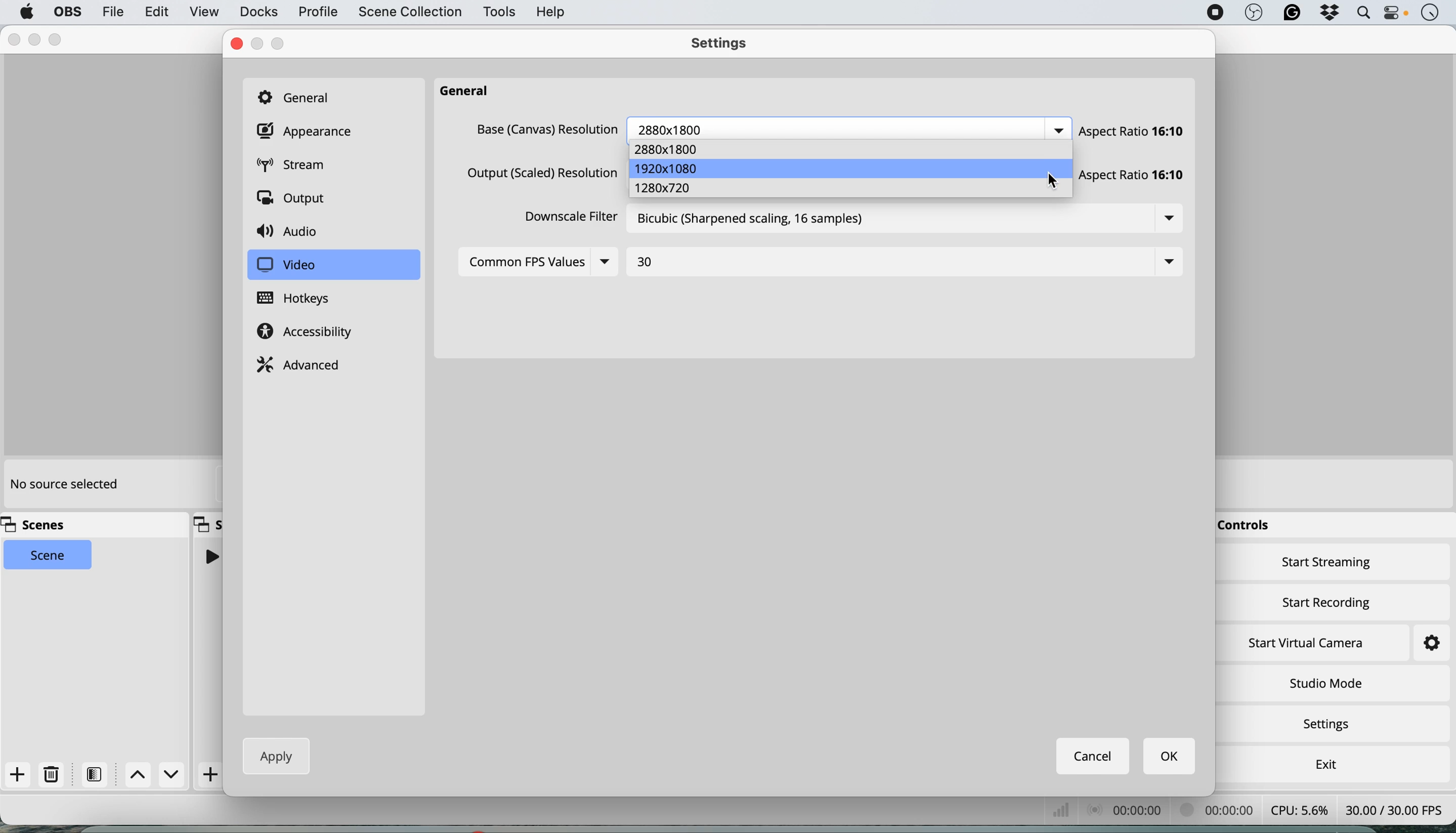 This screenshot has width=1456, height=833. What do you see at coordinates (725, 45) in the screenshot?
I see `settings` at bounding box center [725, 45].